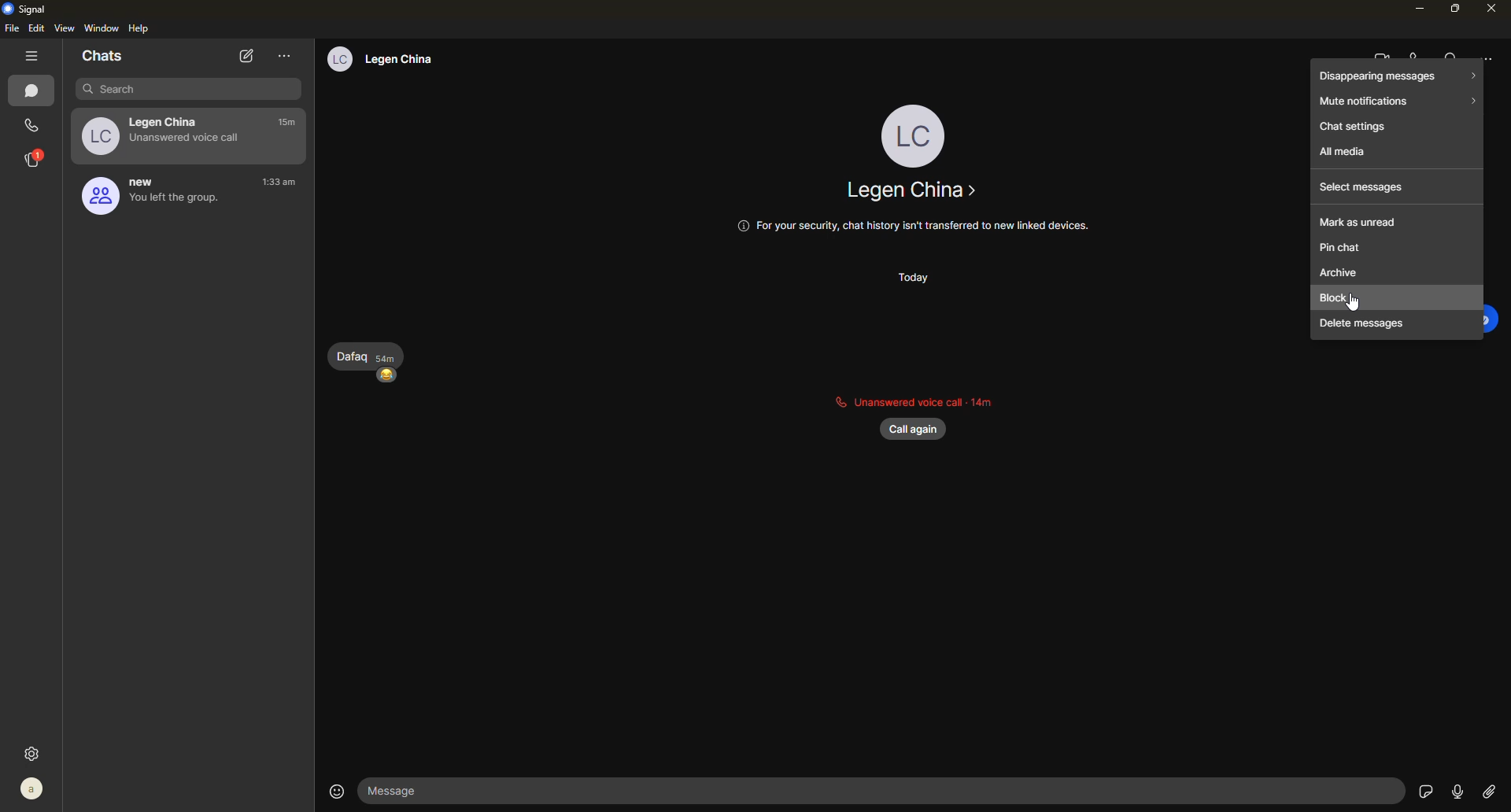  Describe the element at coordinates (336, 794) in the screenshot. I see `emoji` at that location.